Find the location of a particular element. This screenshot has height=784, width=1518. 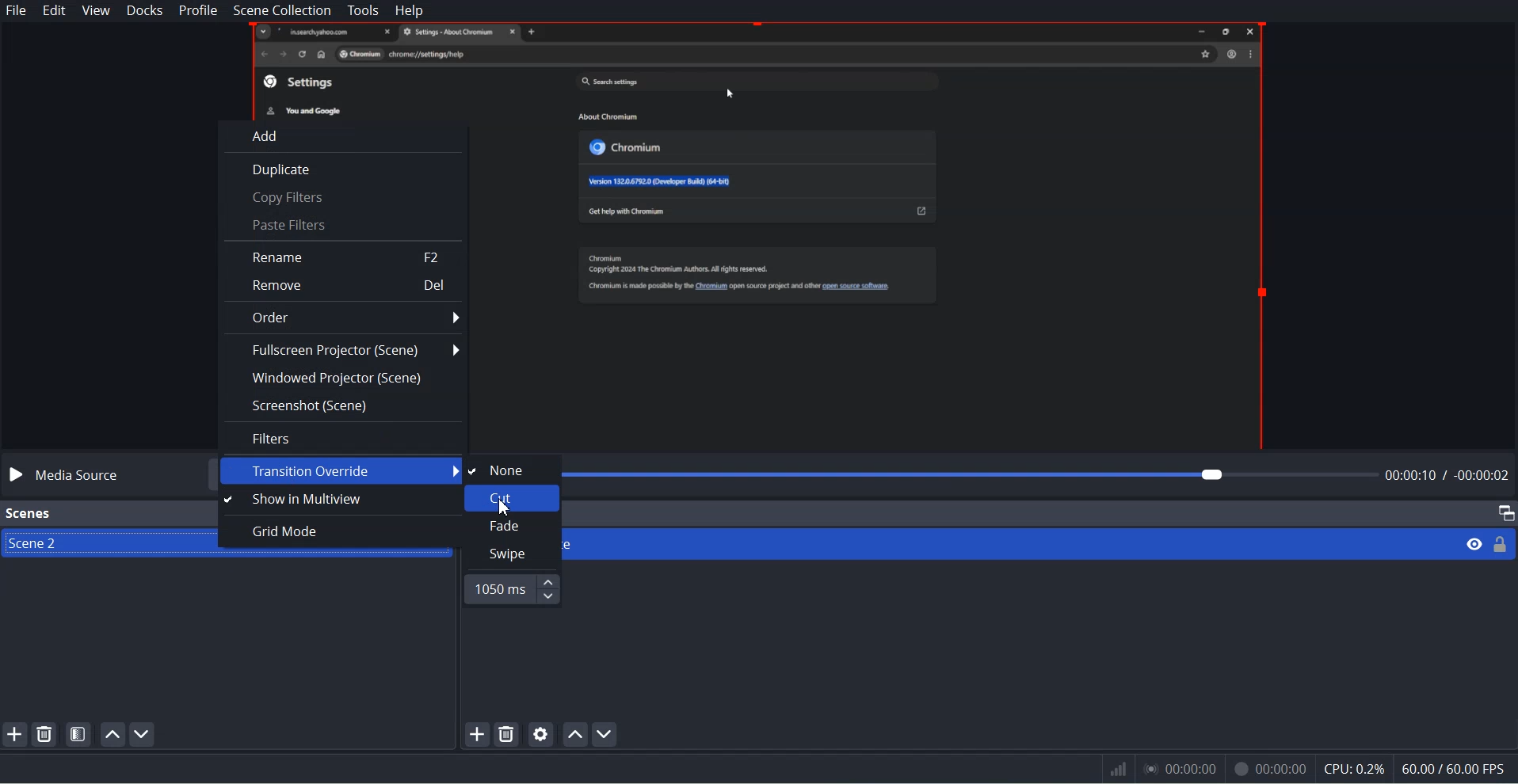

Move source up is located at coordinates (575, 733).